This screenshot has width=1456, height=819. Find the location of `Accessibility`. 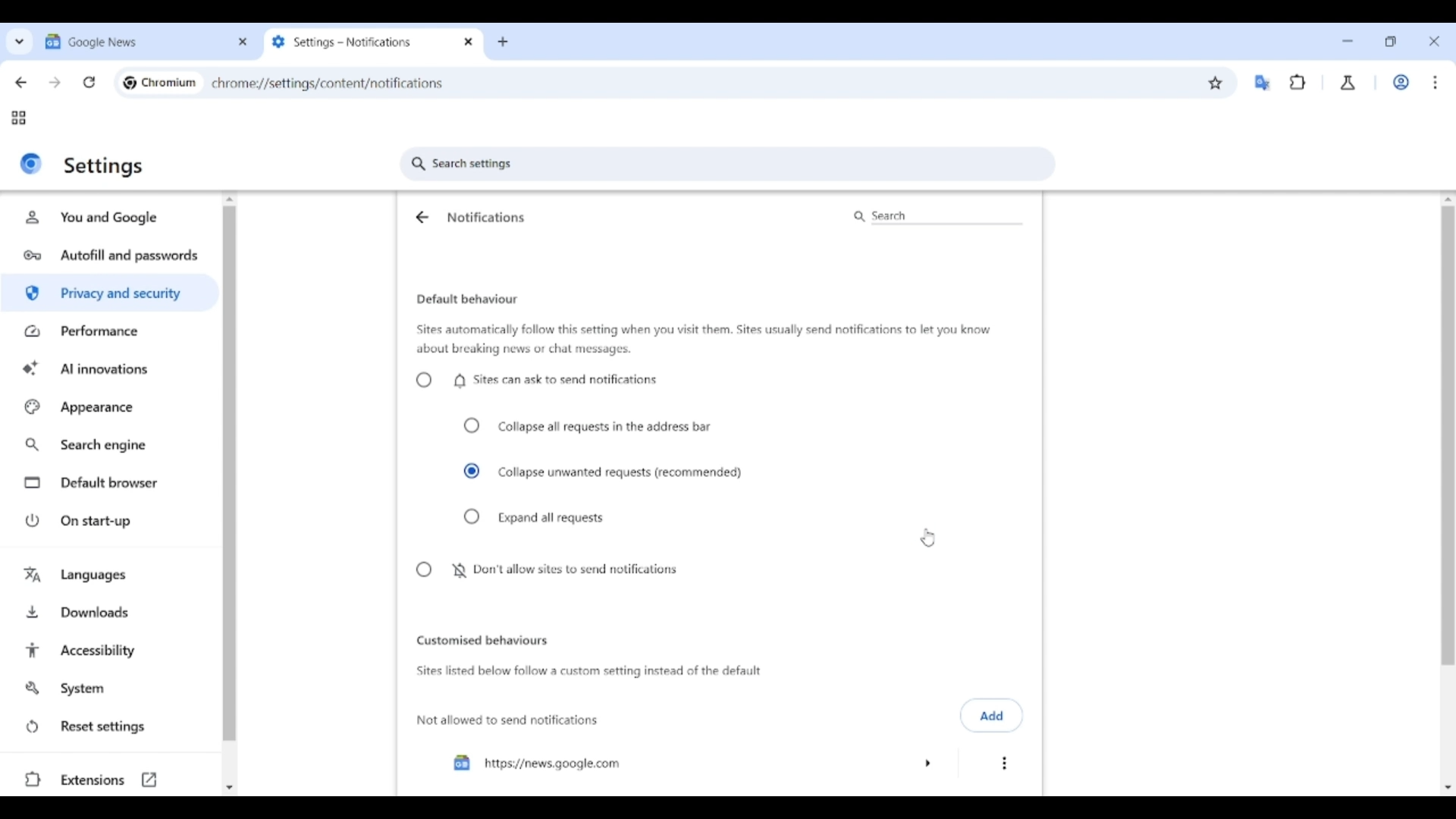

Accessibility is located at coordinates (111, 651).